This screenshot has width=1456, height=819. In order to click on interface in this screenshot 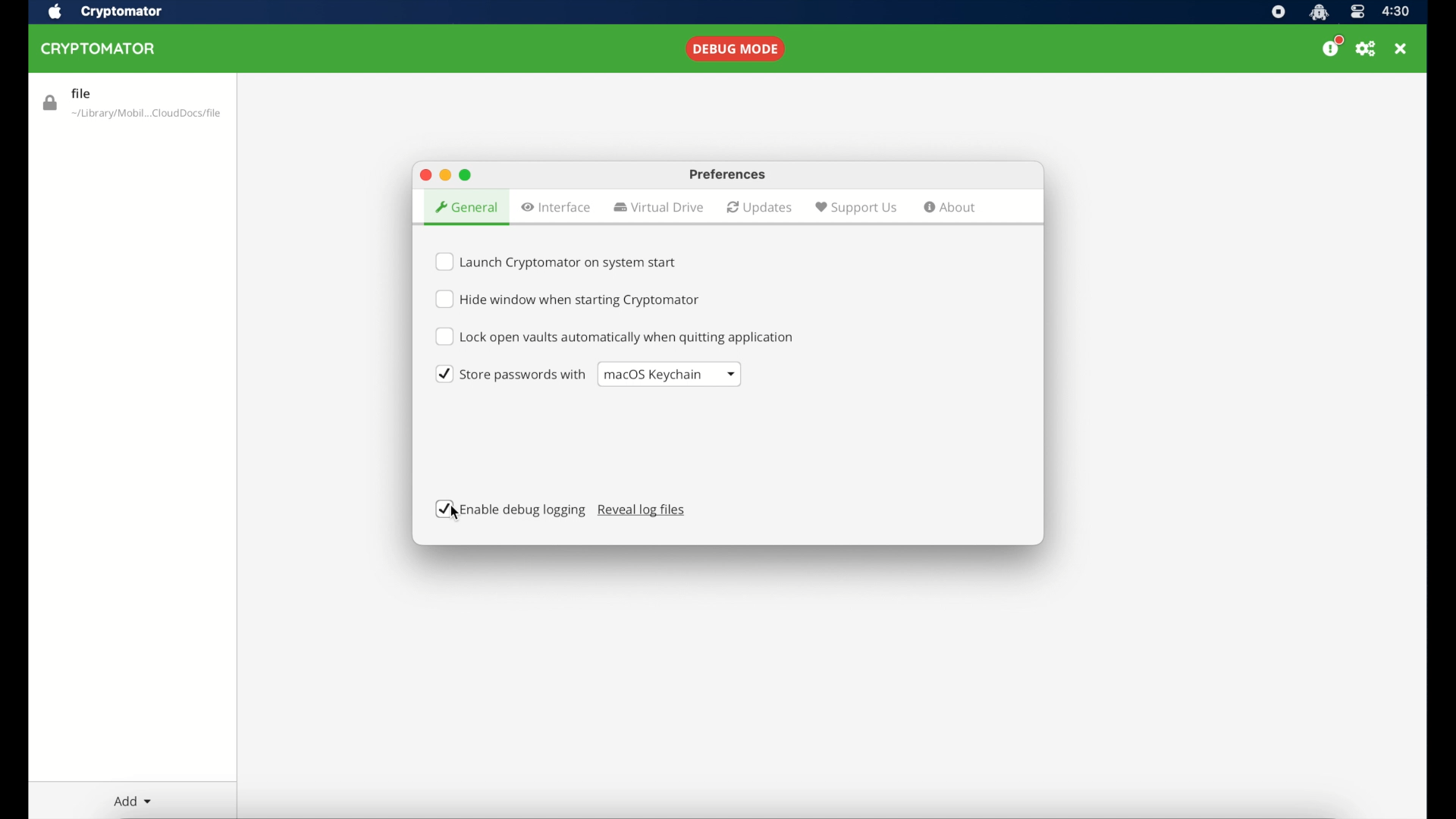, I will do `click(557, 208)`.